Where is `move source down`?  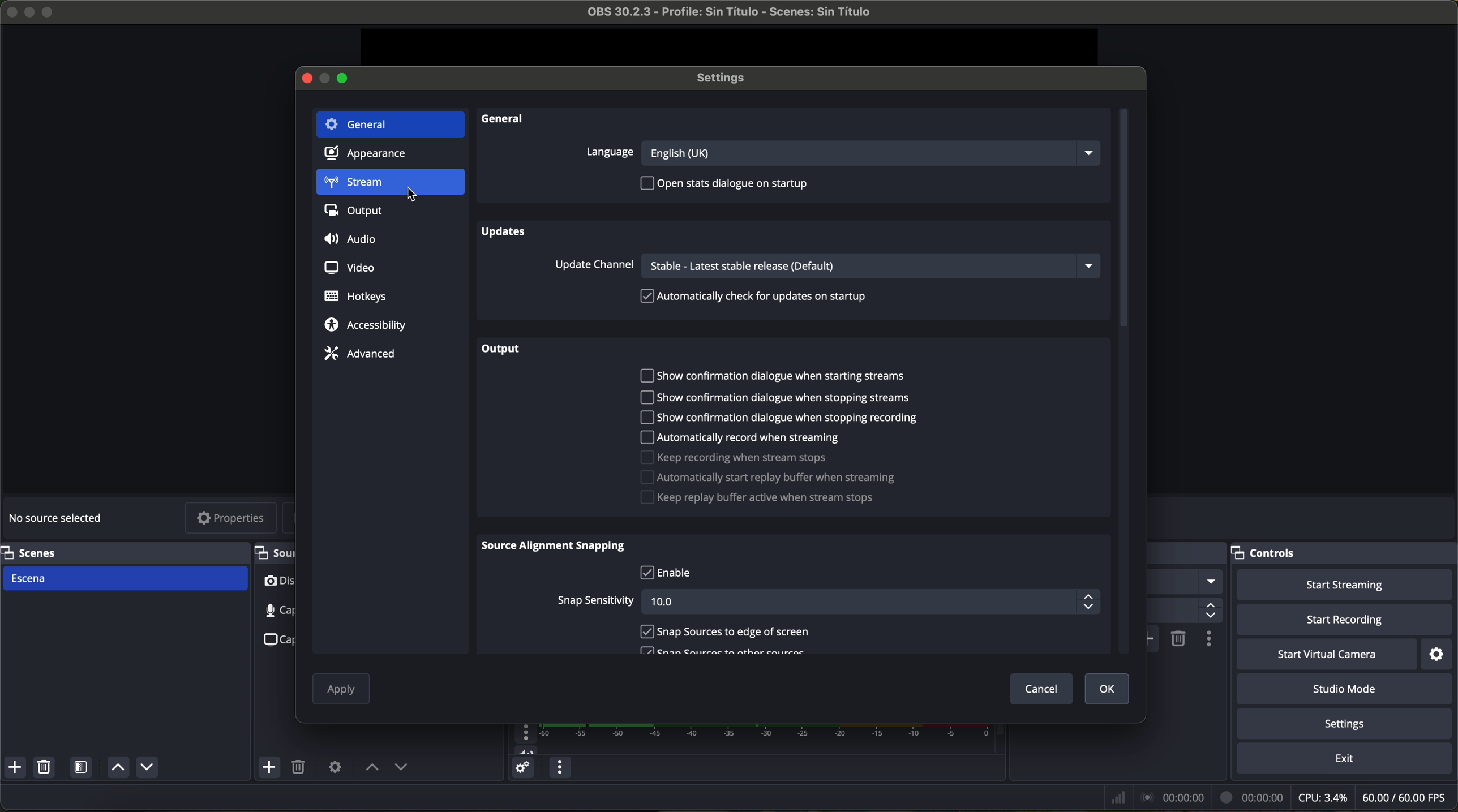
move source down is located at coordinates (401, 768).